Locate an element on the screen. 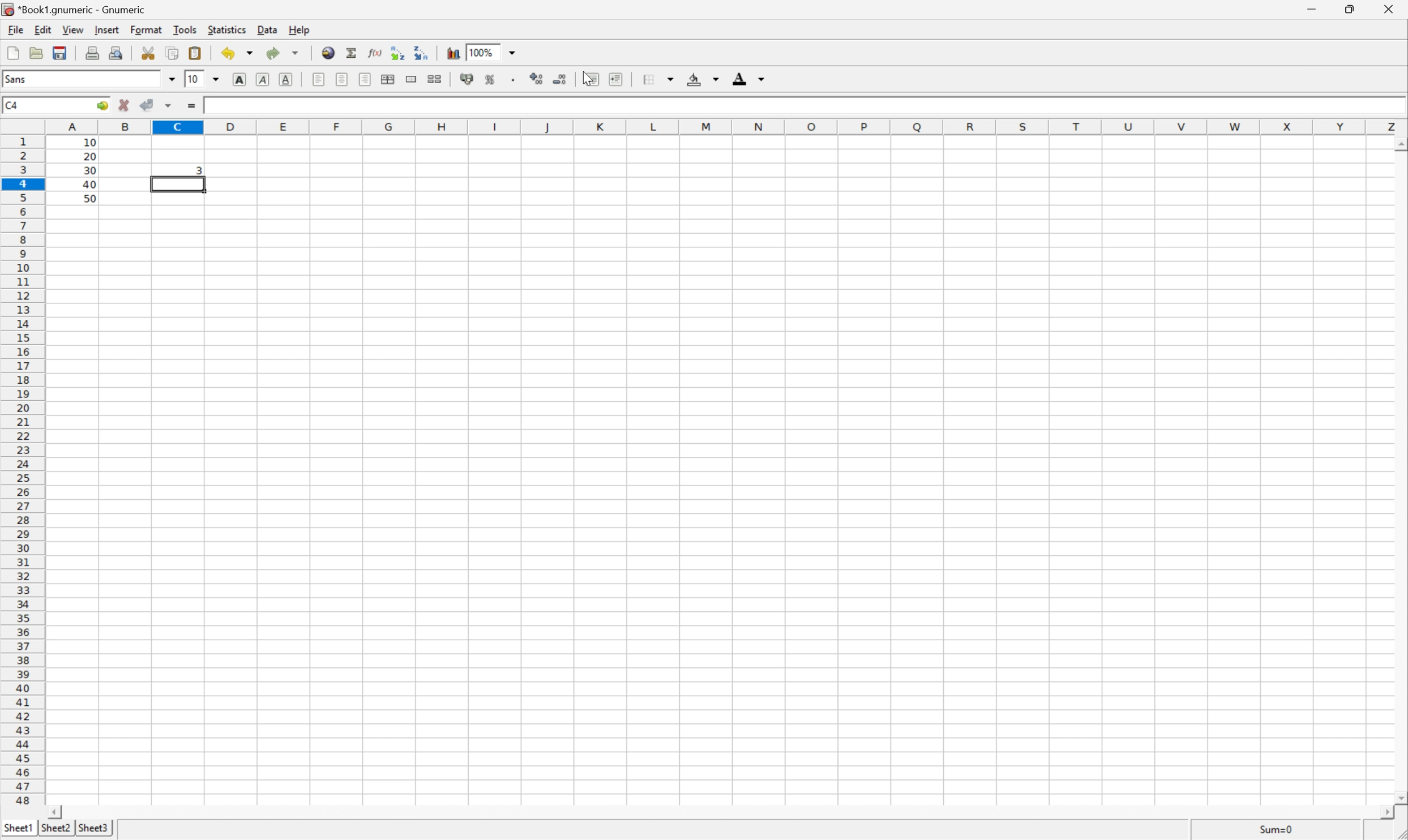  Print the current file is located at coordinates (92, 53).